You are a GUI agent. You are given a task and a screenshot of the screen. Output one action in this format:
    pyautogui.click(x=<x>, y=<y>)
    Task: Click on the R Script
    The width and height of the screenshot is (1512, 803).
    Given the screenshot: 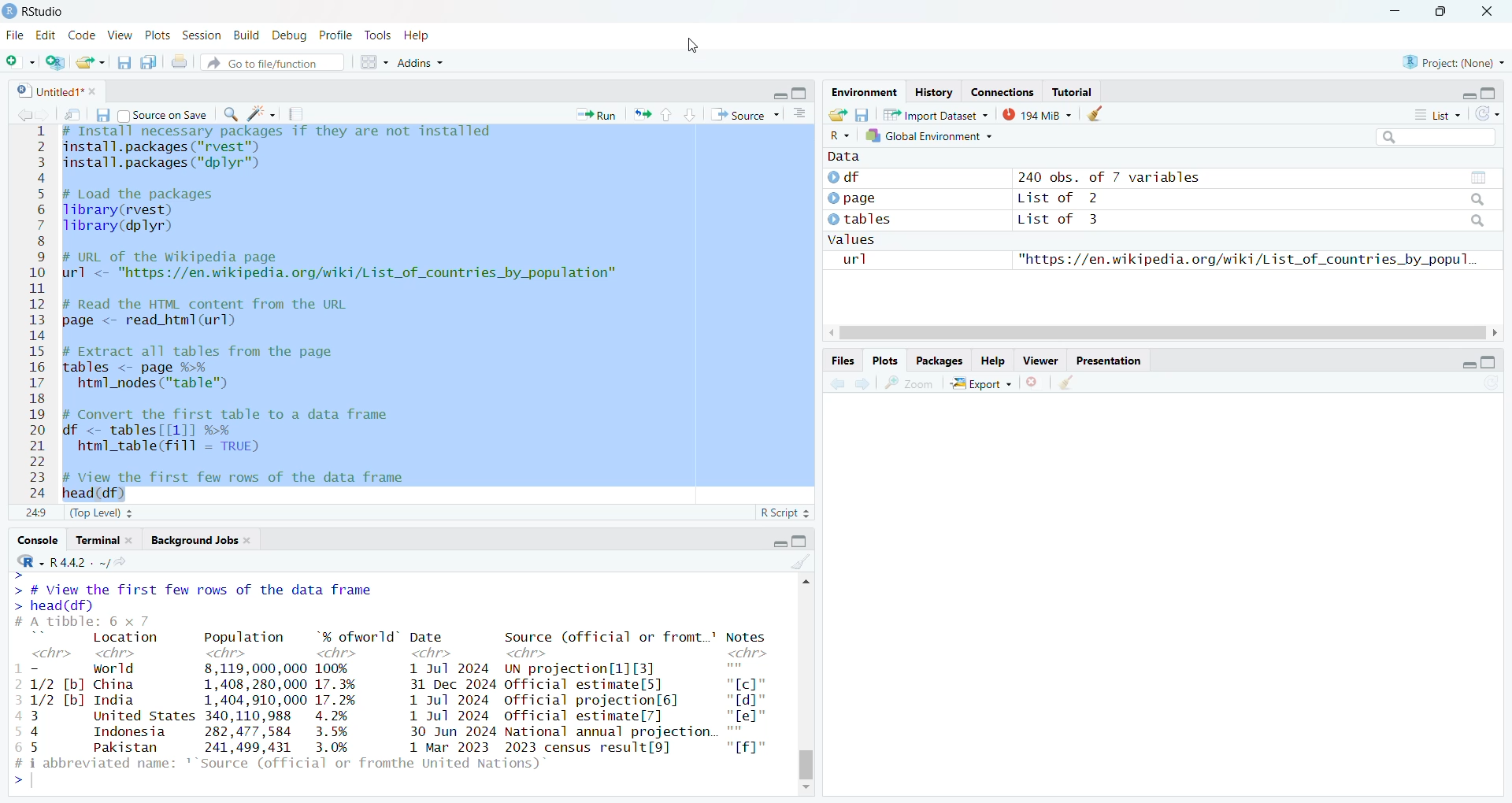 What is the action you would take?
    pyautogui.click(x=786, y=513)
    